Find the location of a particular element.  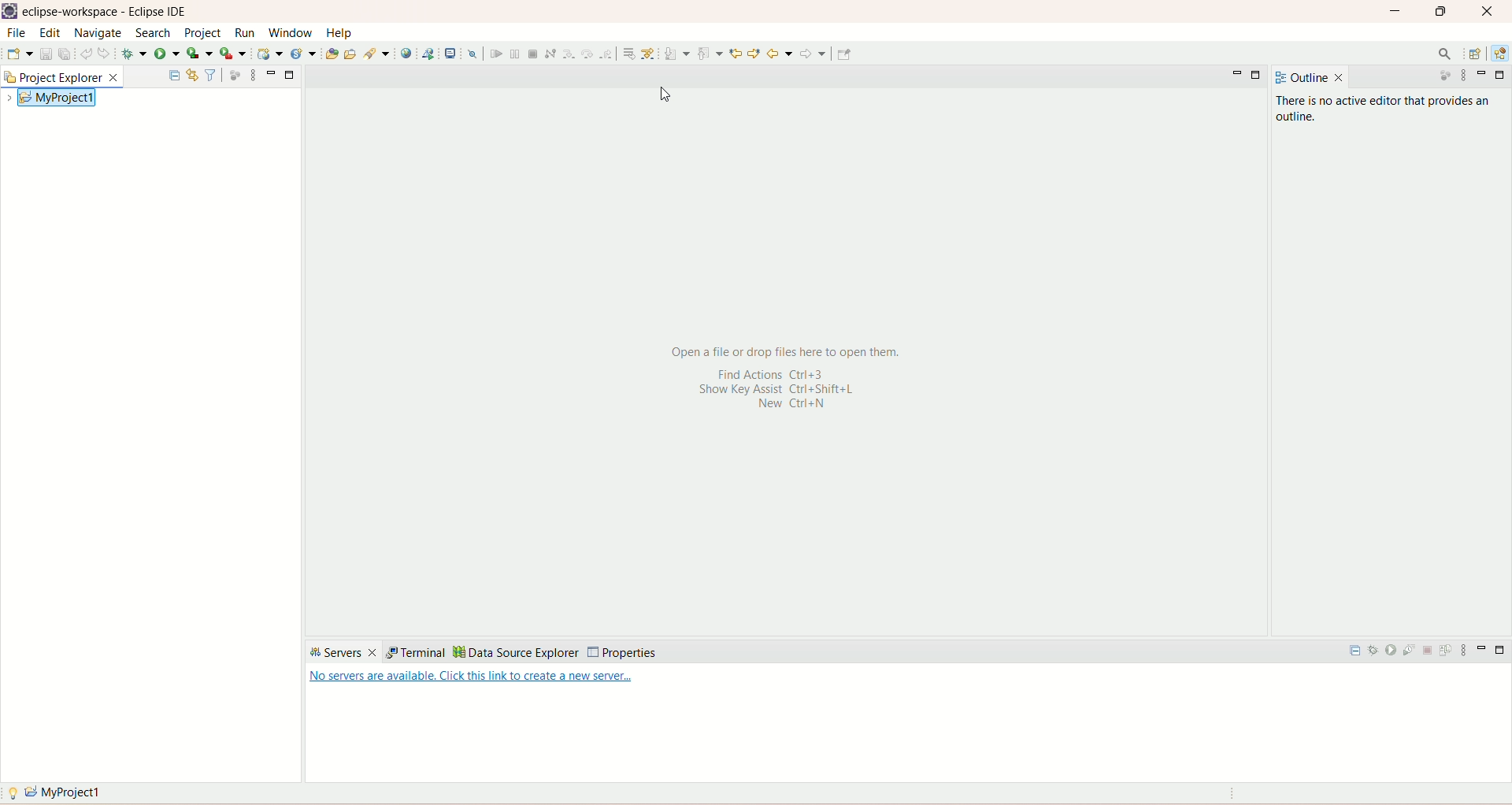

window is located at coordinates (292, 32).